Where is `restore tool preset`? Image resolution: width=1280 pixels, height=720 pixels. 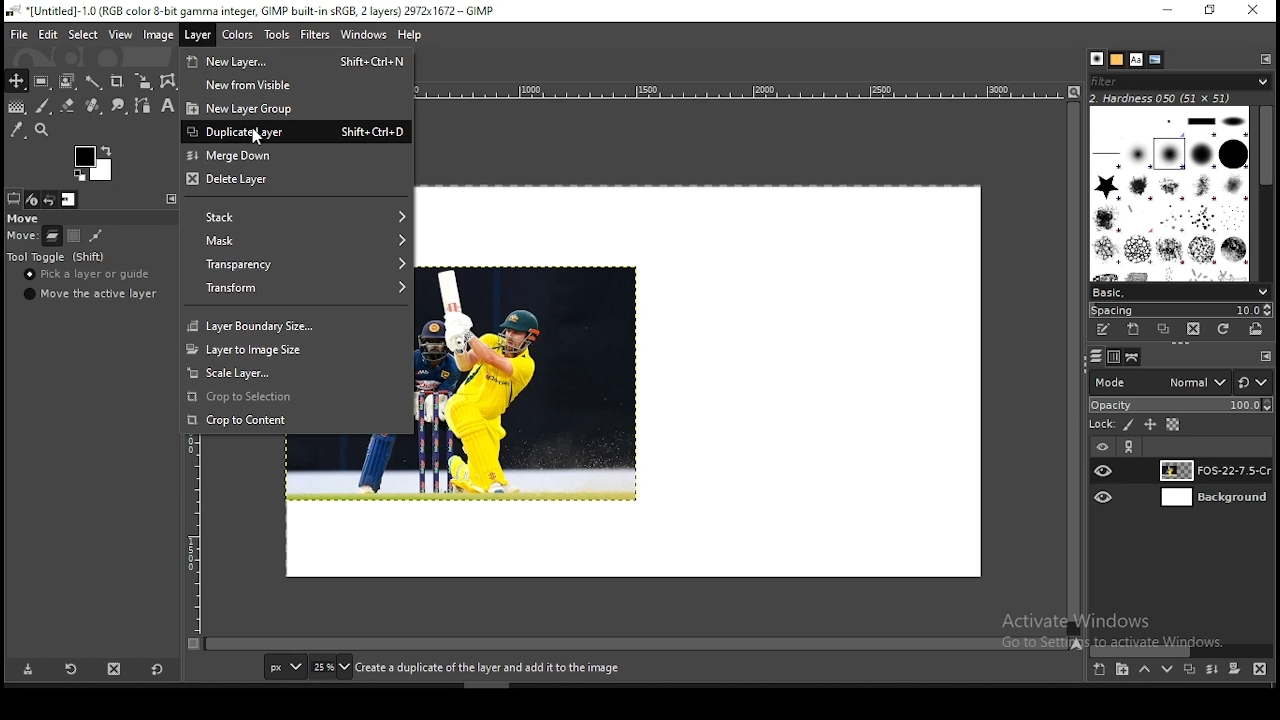
restore tool preset is located at coordinates (70, 670).